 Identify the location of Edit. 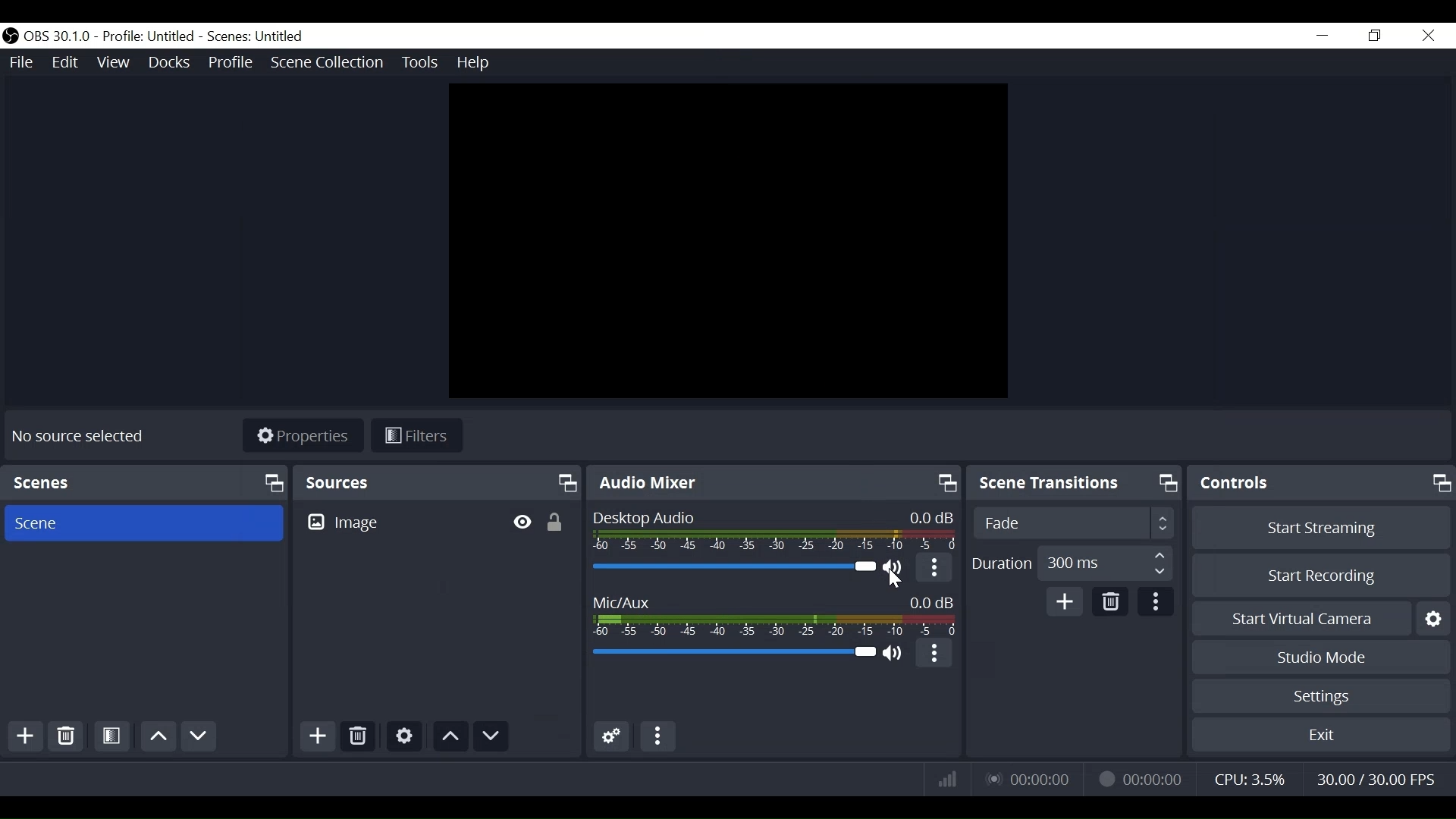
(67, 63).